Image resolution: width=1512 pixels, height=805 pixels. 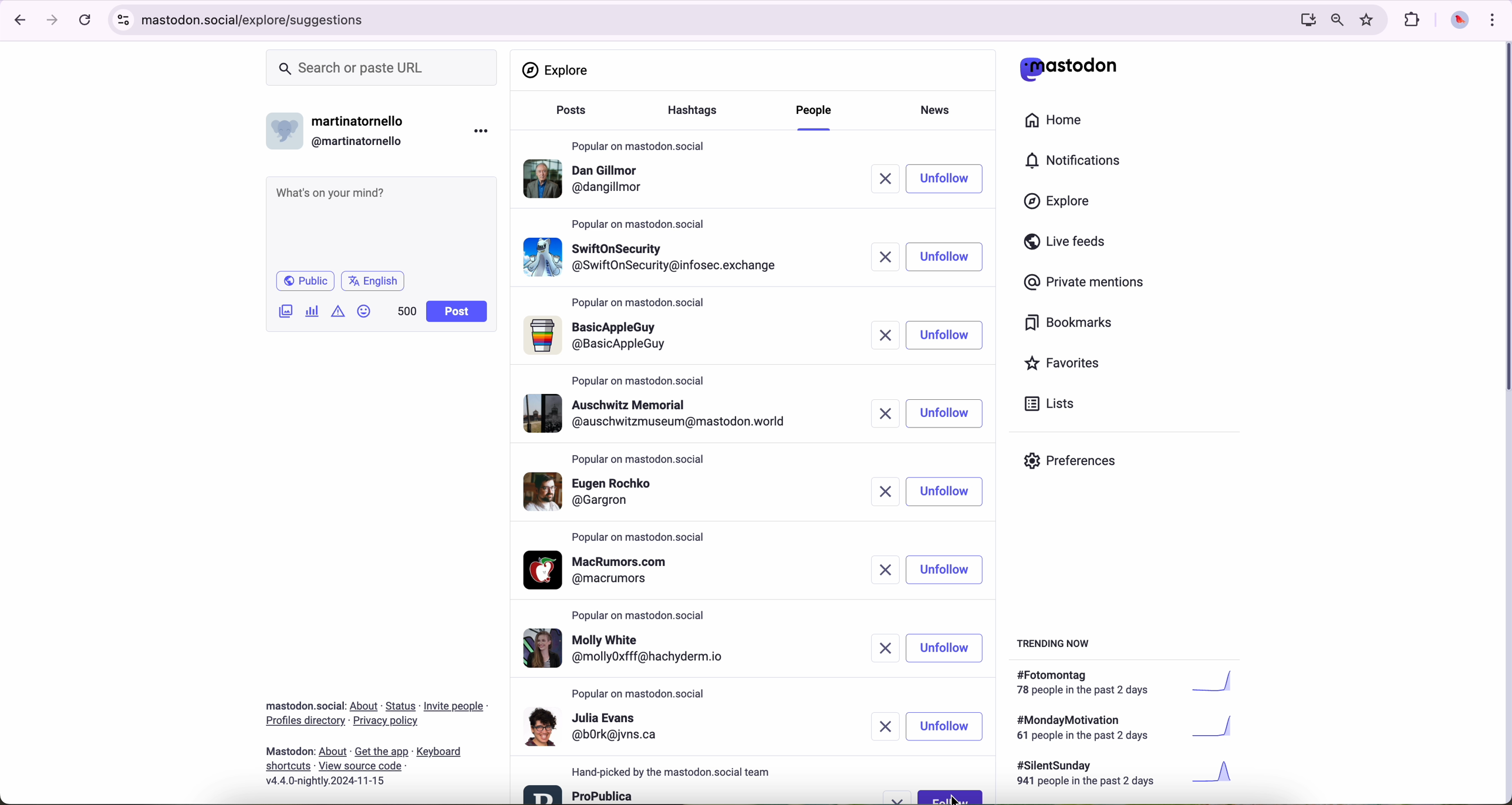 What do you see at coordinates (946, 335) in the screenshot?
I see `unfollow` at bounding box center [946, 335].